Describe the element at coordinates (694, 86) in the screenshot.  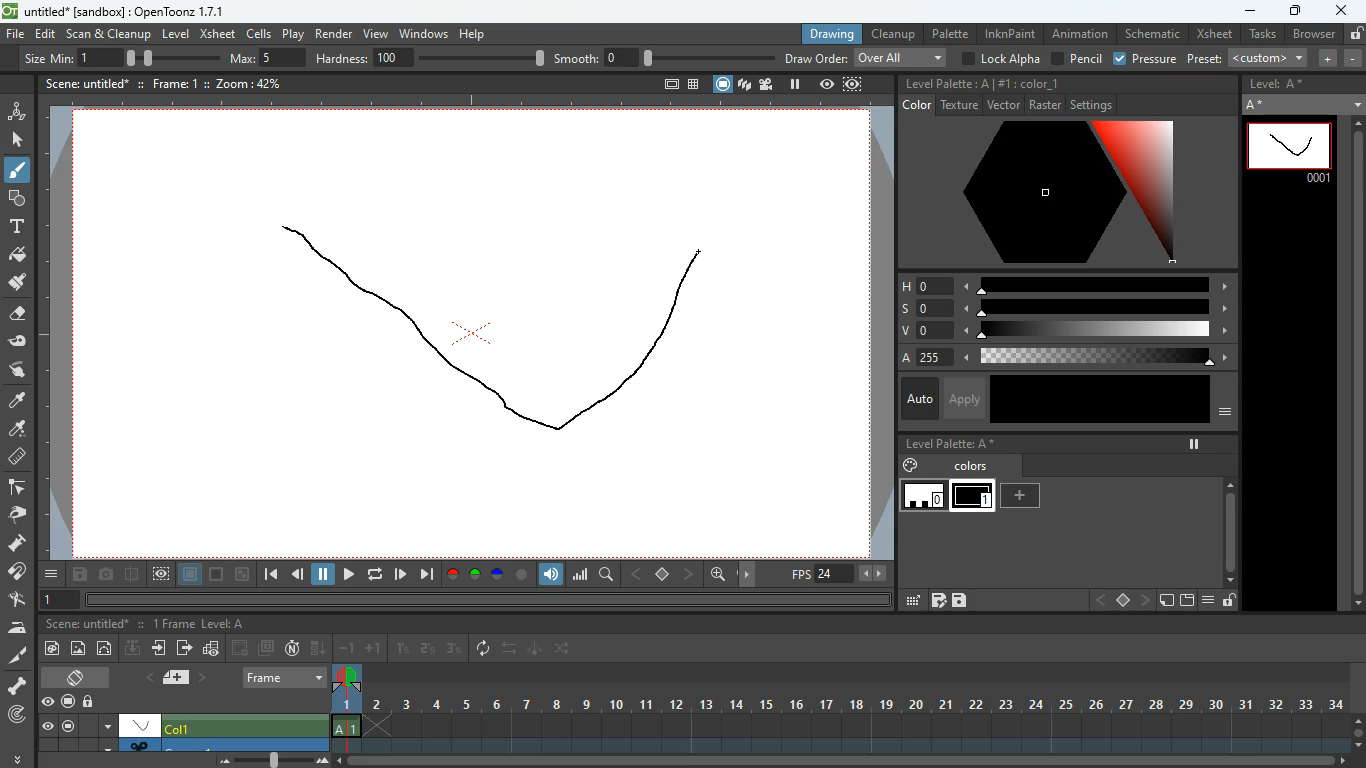
I see `table` at that location.